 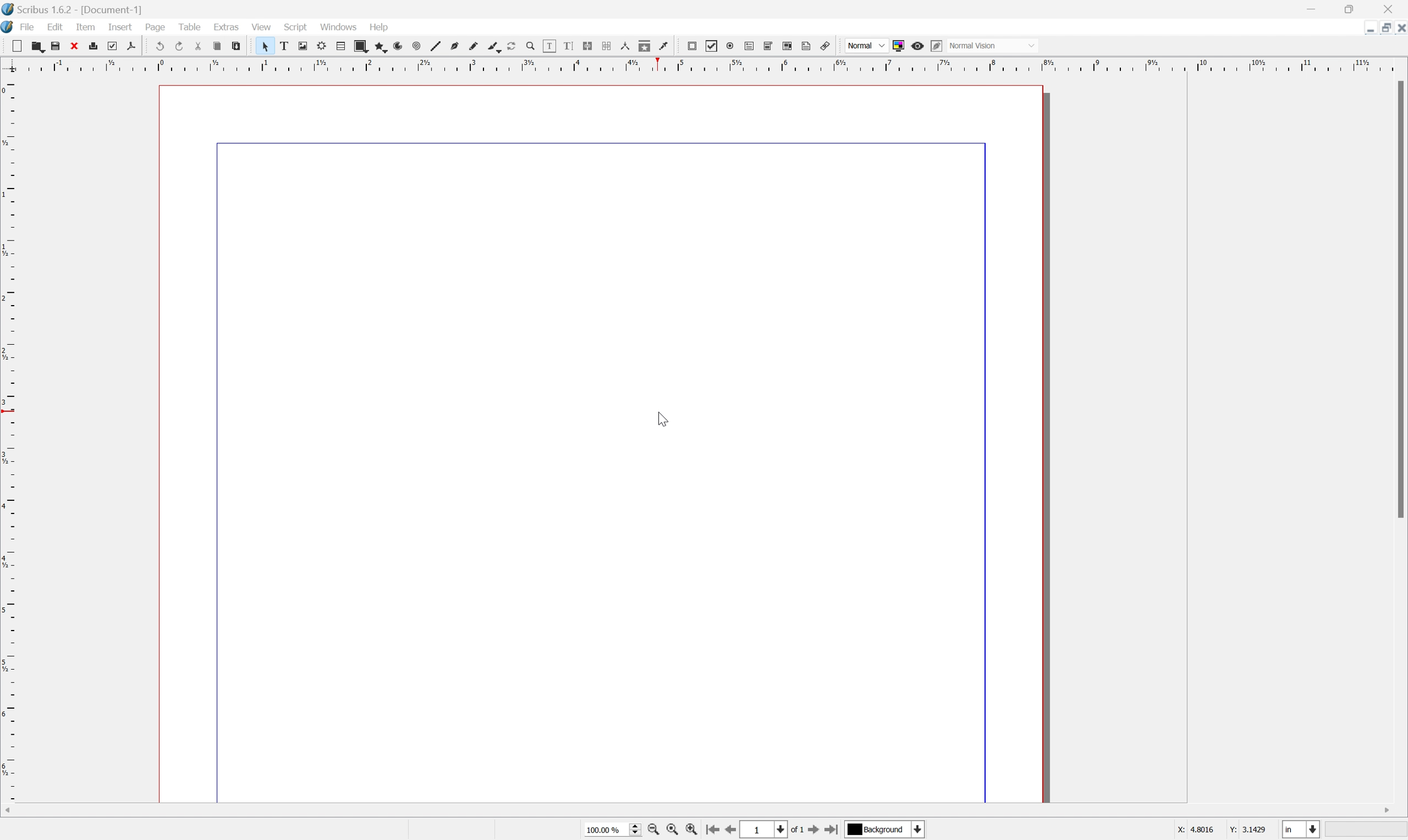 What do you see at coordinates (55, 27) in the screenshot?
I see `edit` at bounding box center [55, 27].